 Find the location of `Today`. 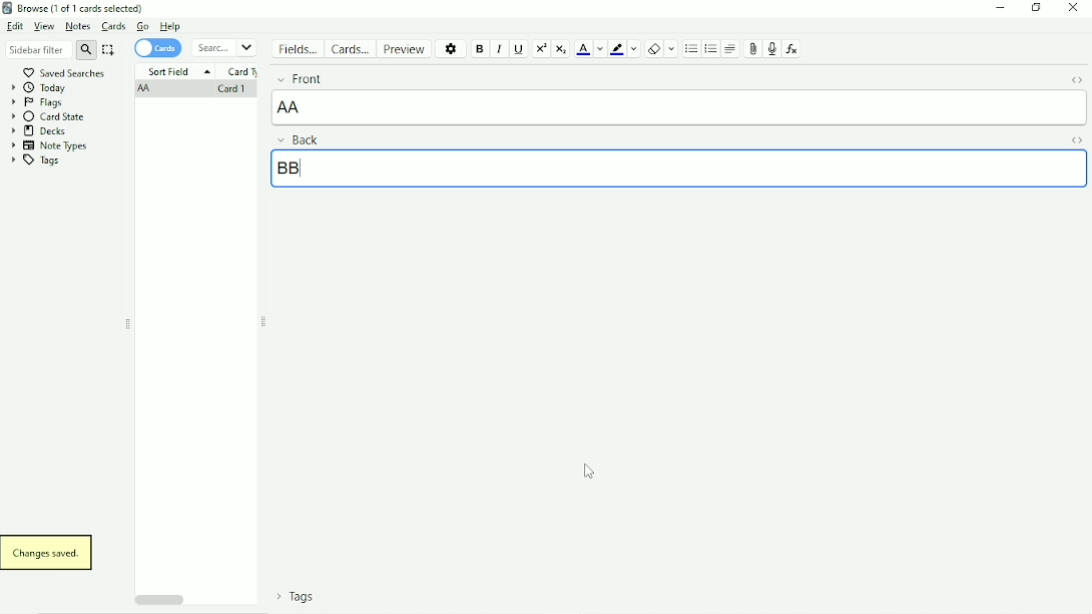

Today is located at coordinates (40, 88).